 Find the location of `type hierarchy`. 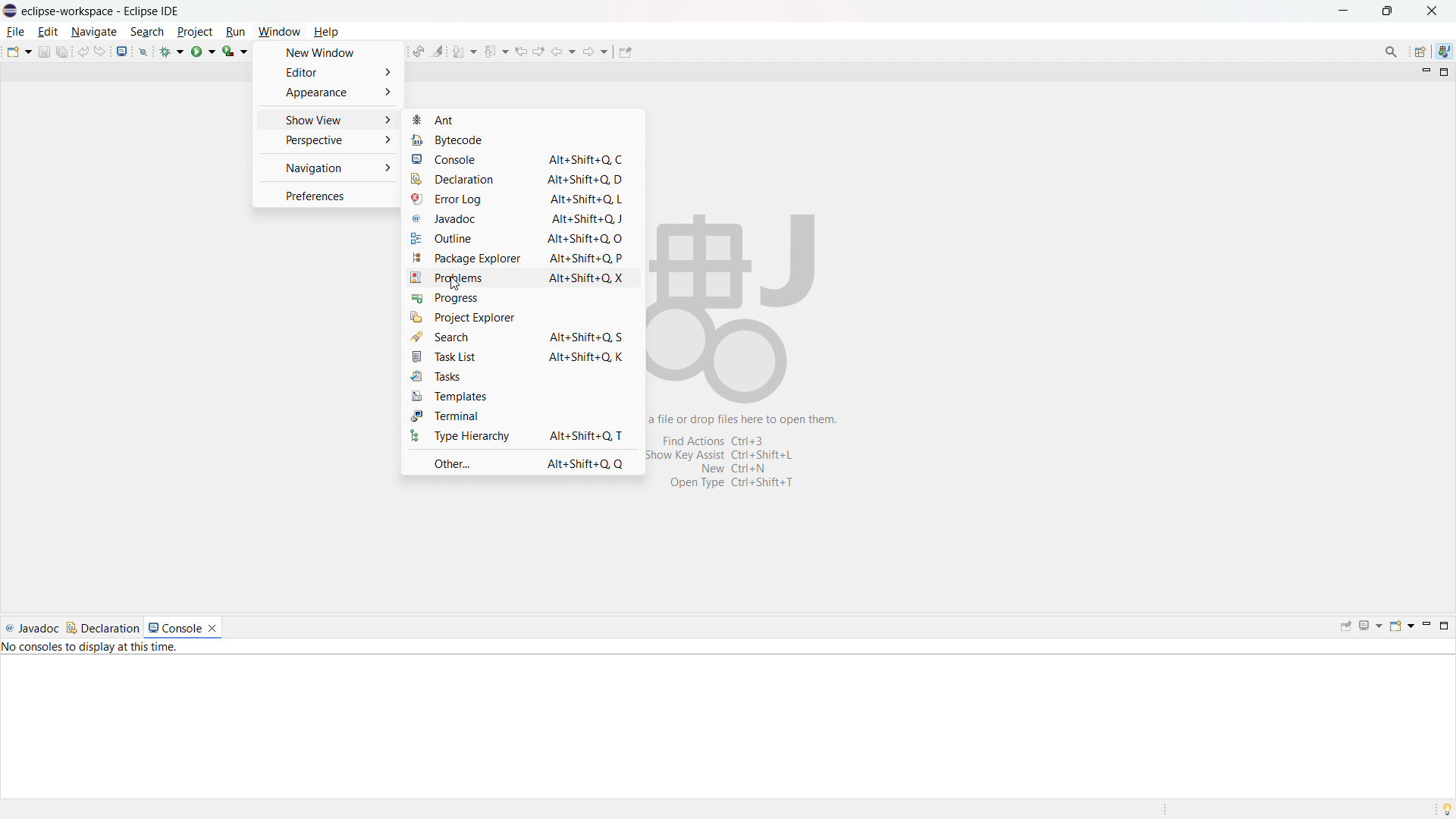

type hierarchy is located at coordinates (522, 436).